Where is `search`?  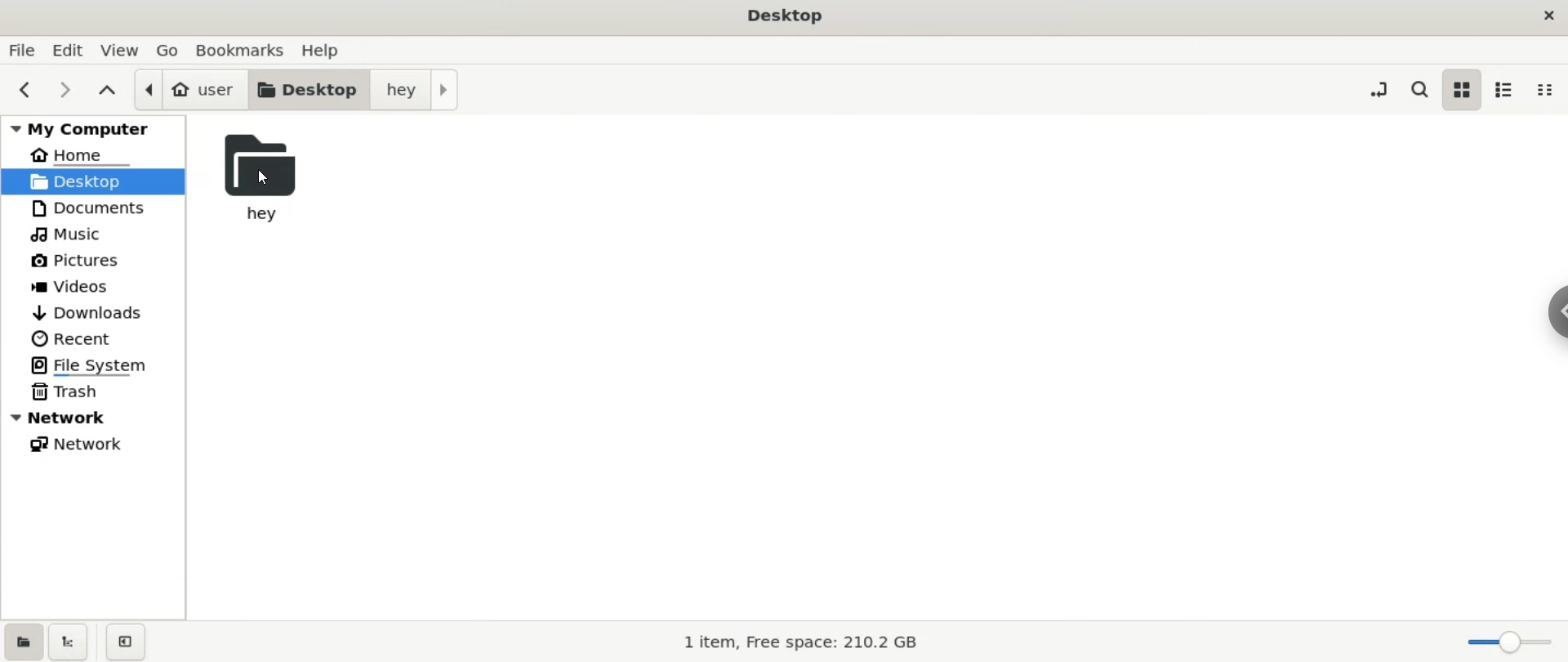
search is located at coordinates (1419, 90).